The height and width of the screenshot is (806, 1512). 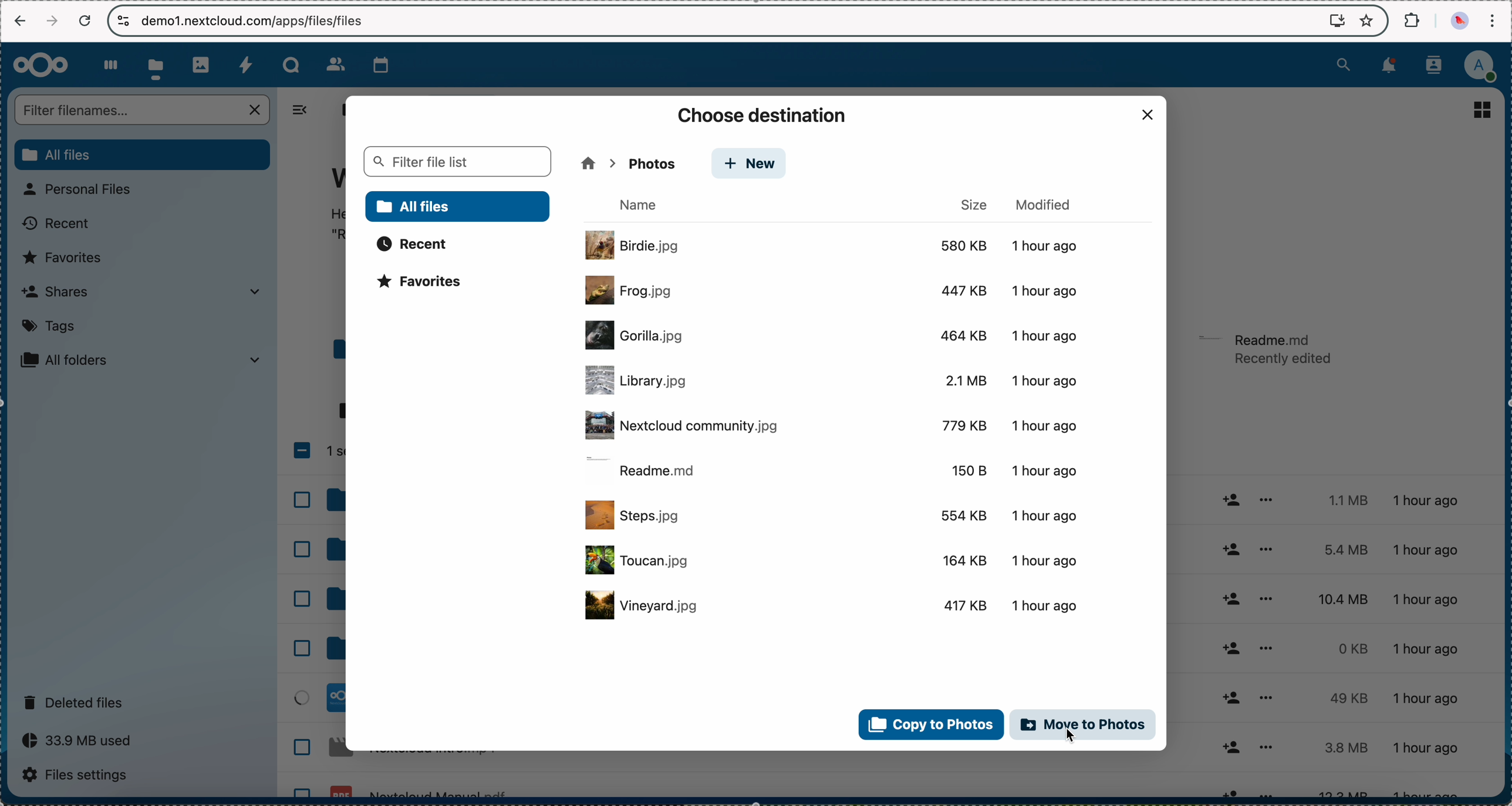 I want to click on user profile, so click(x=1486, y=66).